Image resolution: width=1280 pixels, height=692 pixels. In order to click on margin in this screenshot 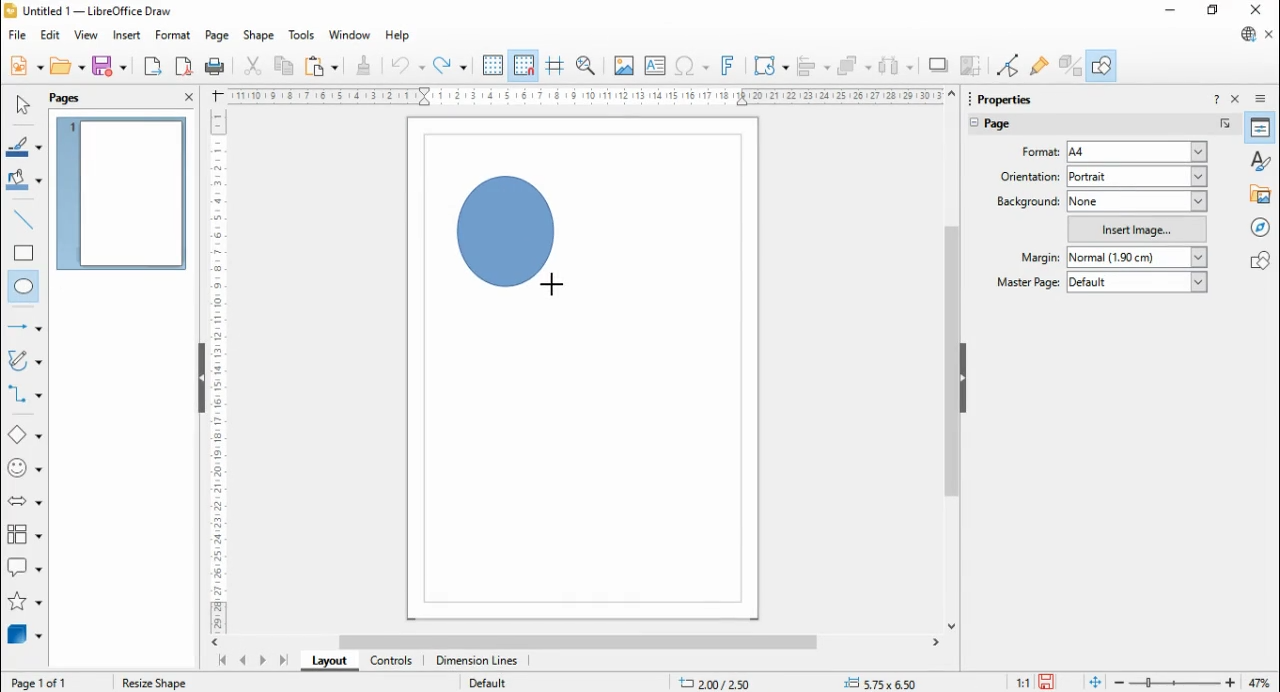, I will do `click(1039, 257)`.